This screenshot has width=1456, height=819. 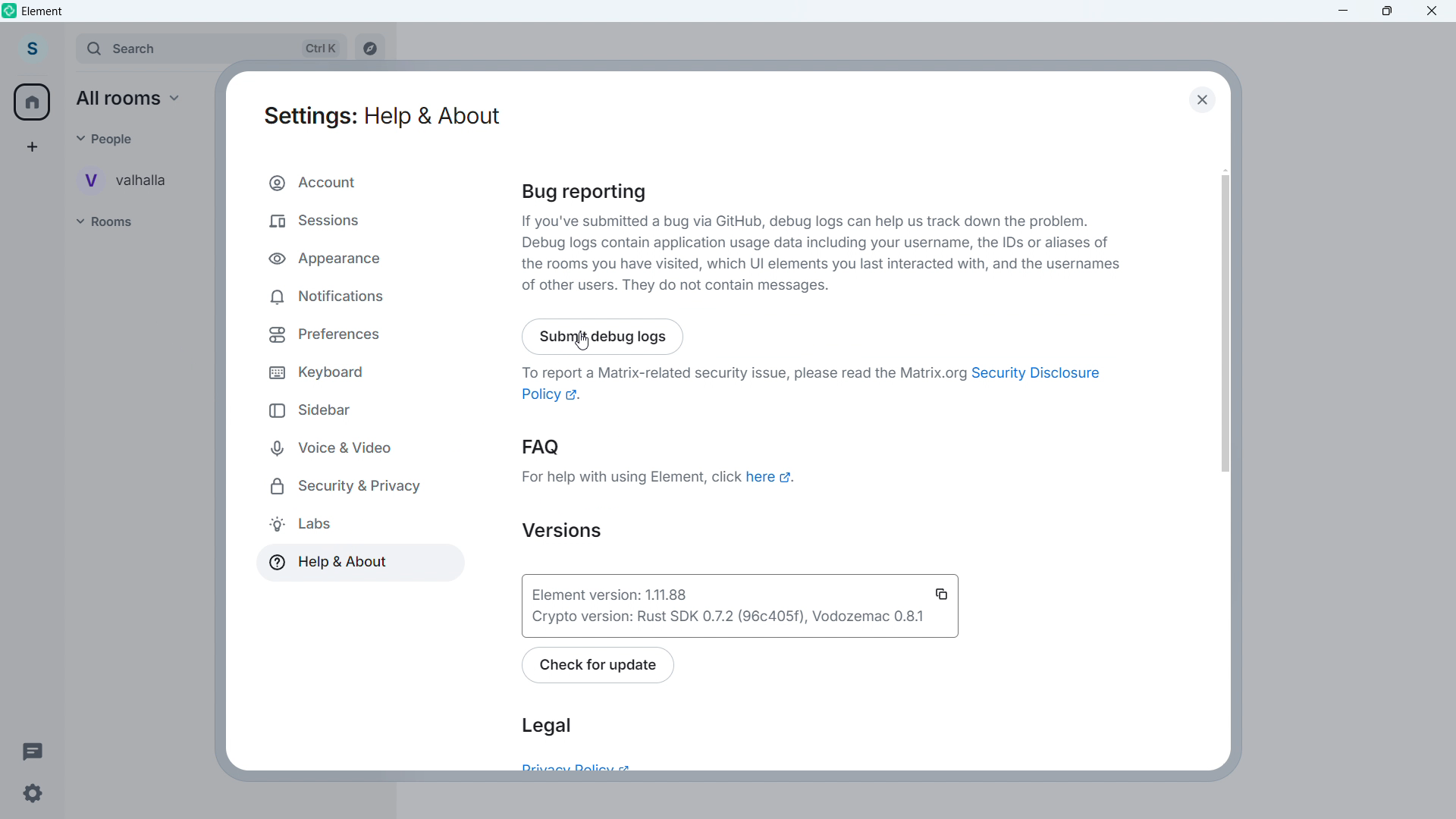 What do you see at coordinates (679, 286) in the screenshot?
I see `of other users. They do not contain messages.` at bounding box center [679, 286].